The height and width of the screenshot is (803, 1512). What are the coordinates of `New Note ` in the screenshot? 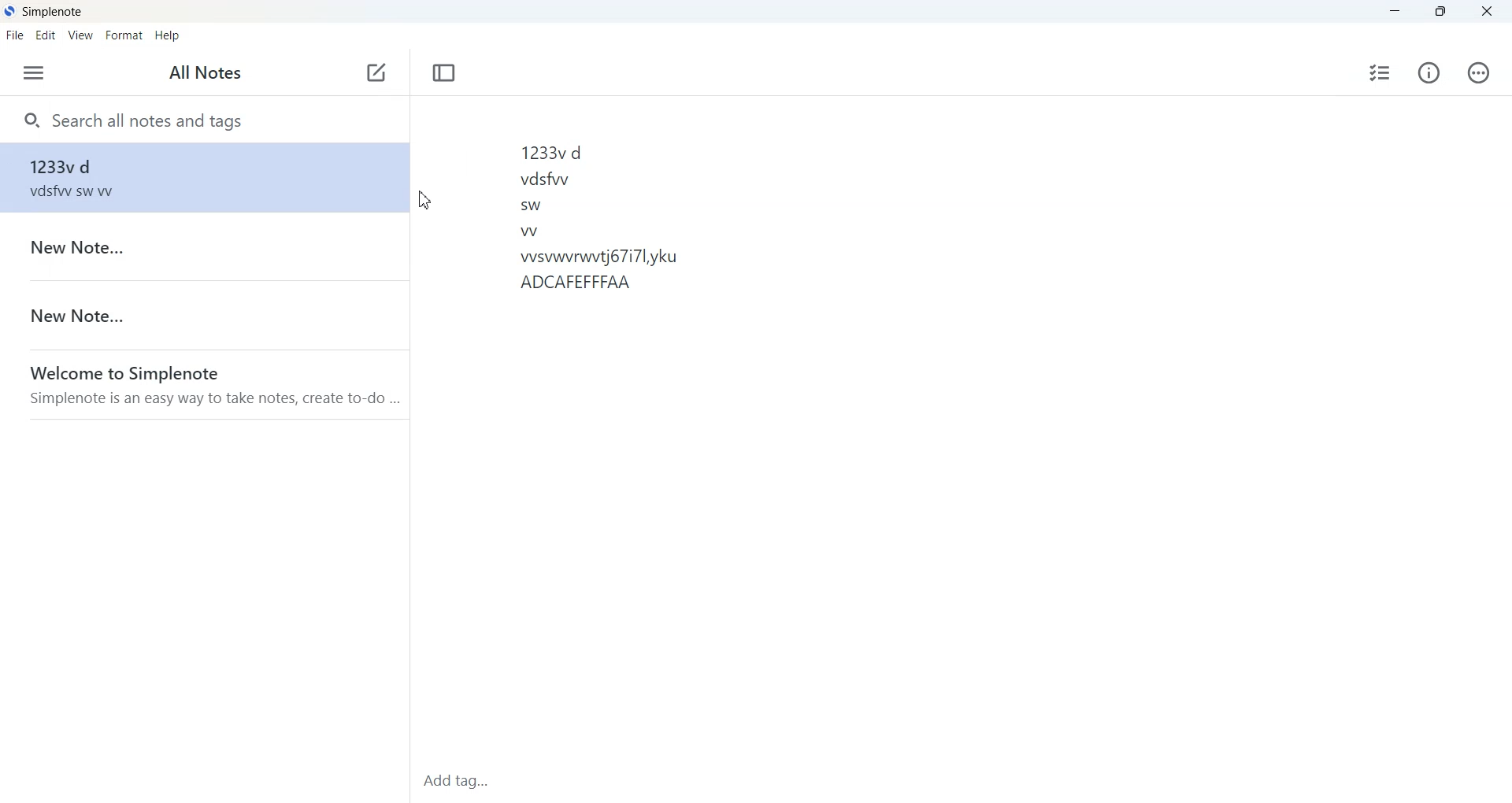 It's located at (202, 247).